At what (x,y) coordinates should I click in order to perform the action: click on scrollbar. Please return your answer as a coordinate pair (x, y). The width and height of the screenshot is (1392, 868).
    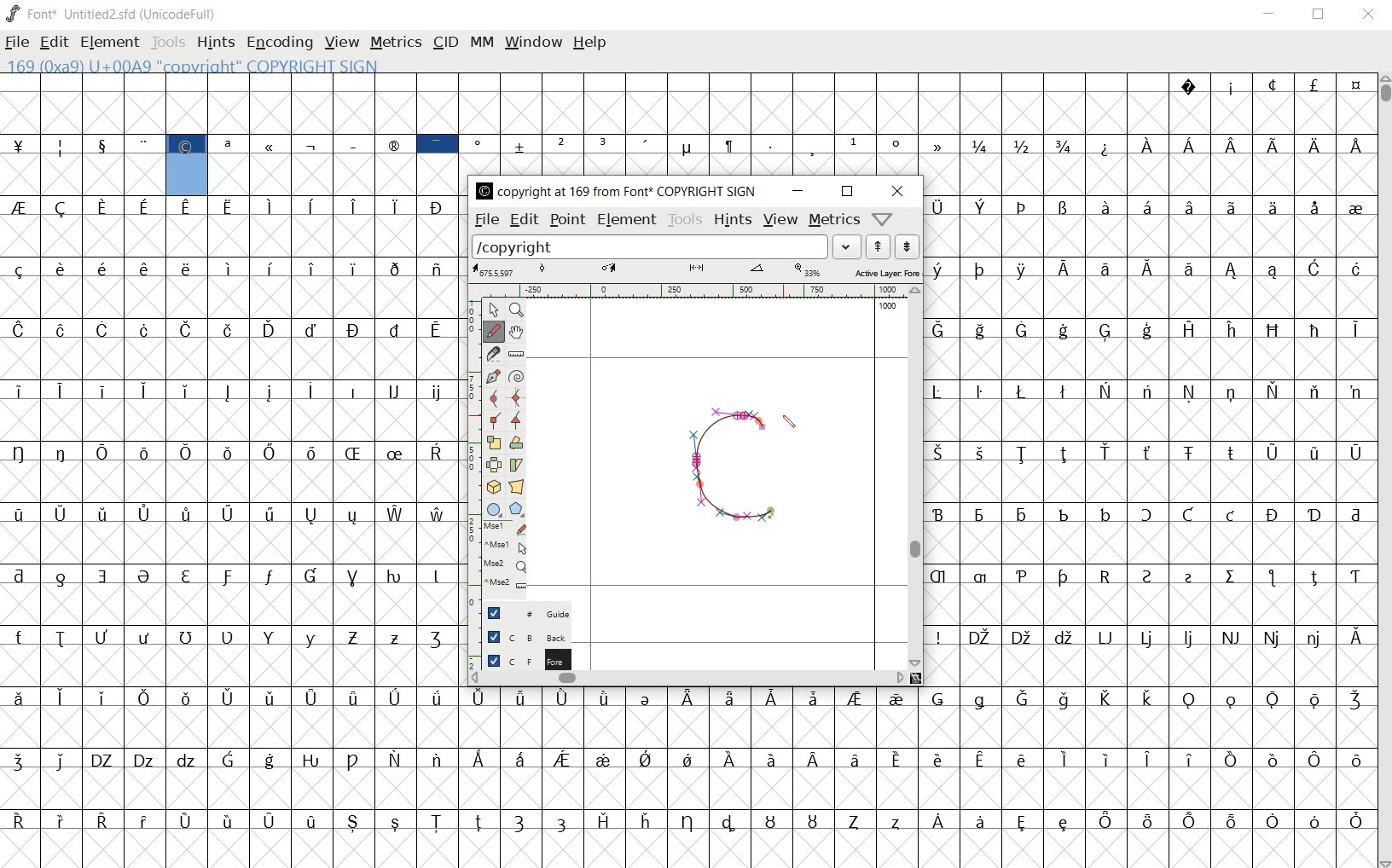
    Looking at the image, I should click on (1383, 472).